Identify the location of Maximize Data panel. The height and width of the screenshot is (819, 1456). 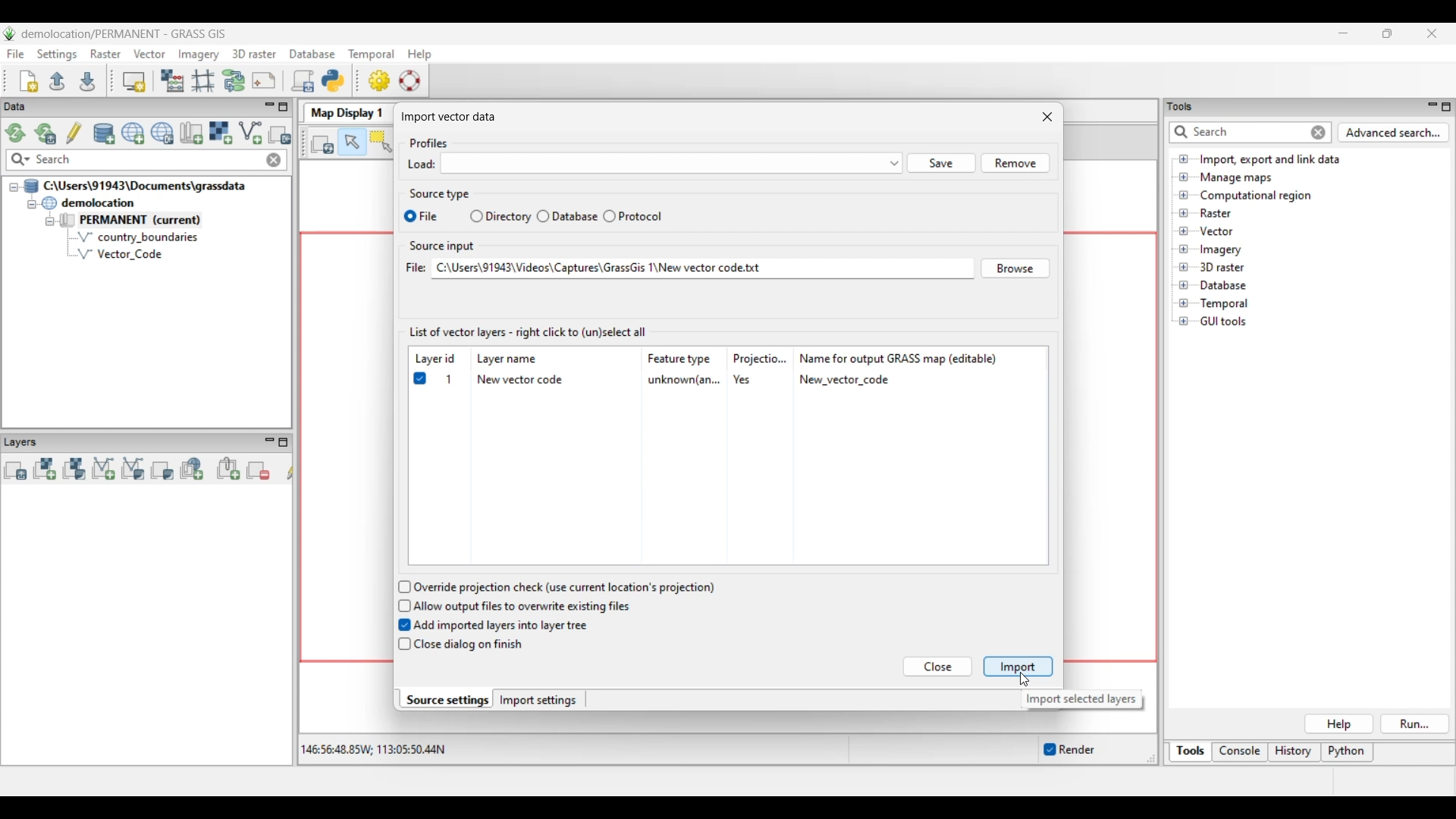
(284, 107).